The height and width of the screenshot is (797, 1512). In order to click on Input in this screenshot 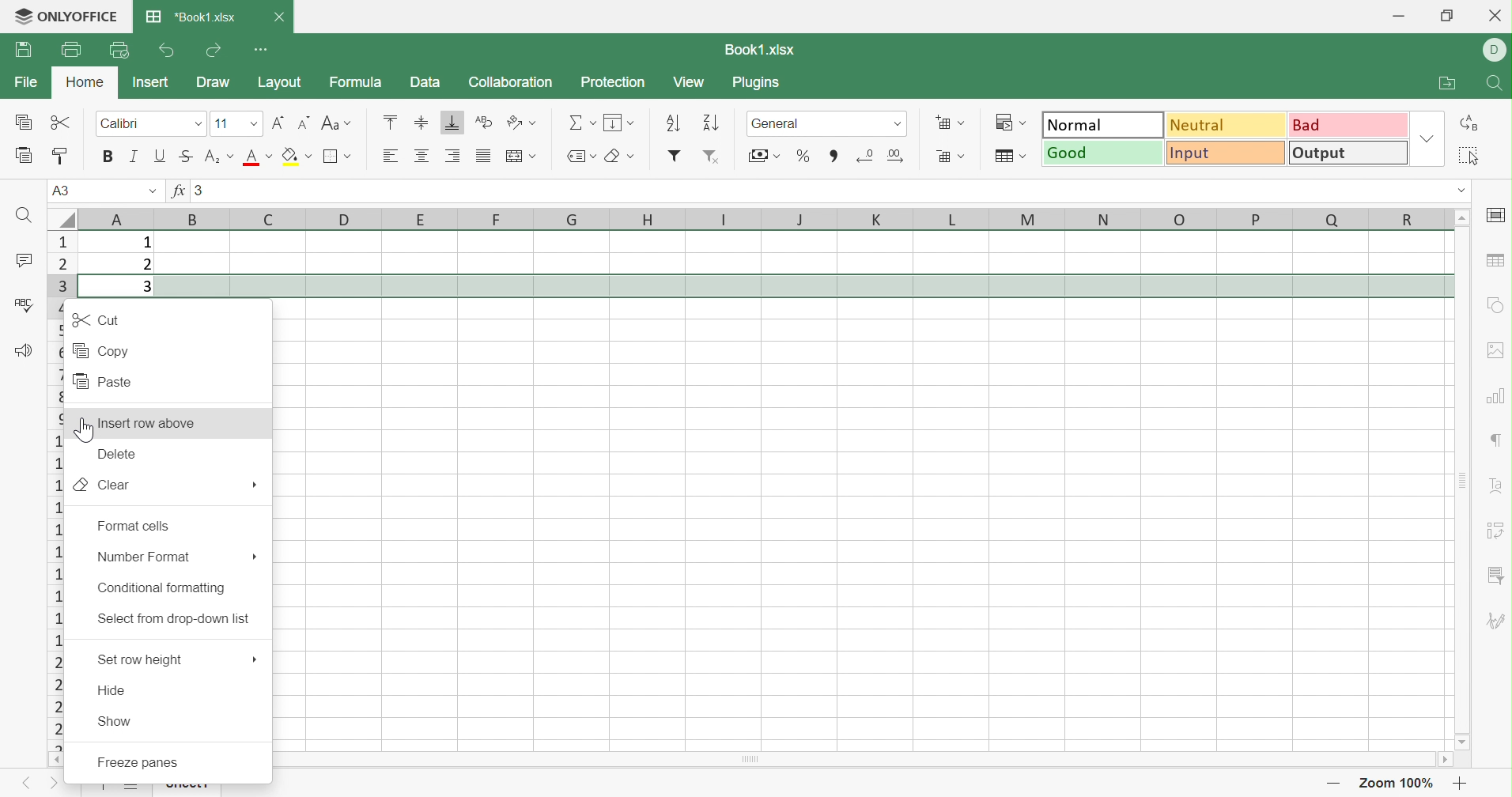, I will do `click(1226, 153)`.